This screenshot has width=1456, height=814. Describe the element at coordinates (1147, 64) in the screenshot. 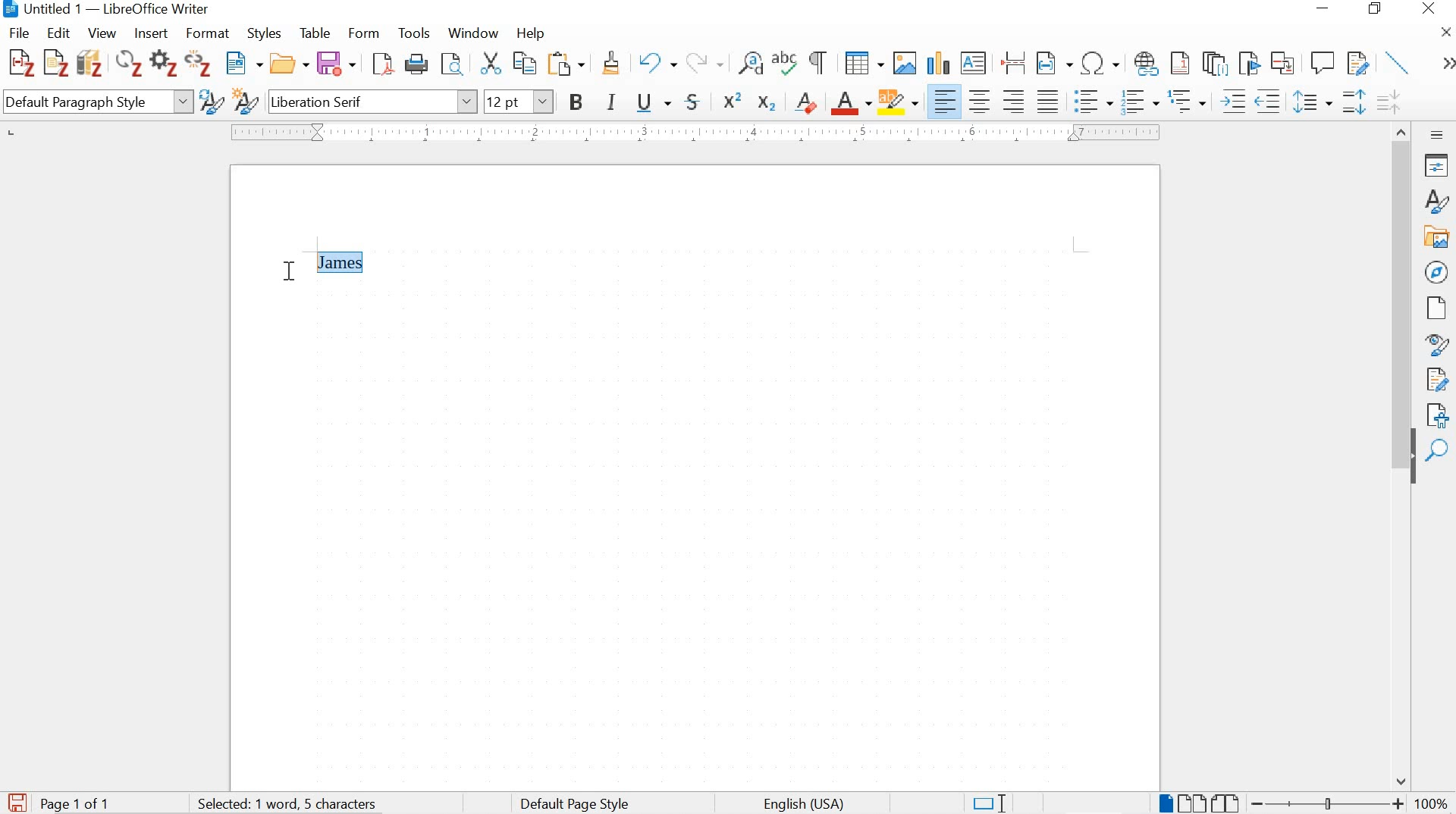

I see `insert footnote` at that location.